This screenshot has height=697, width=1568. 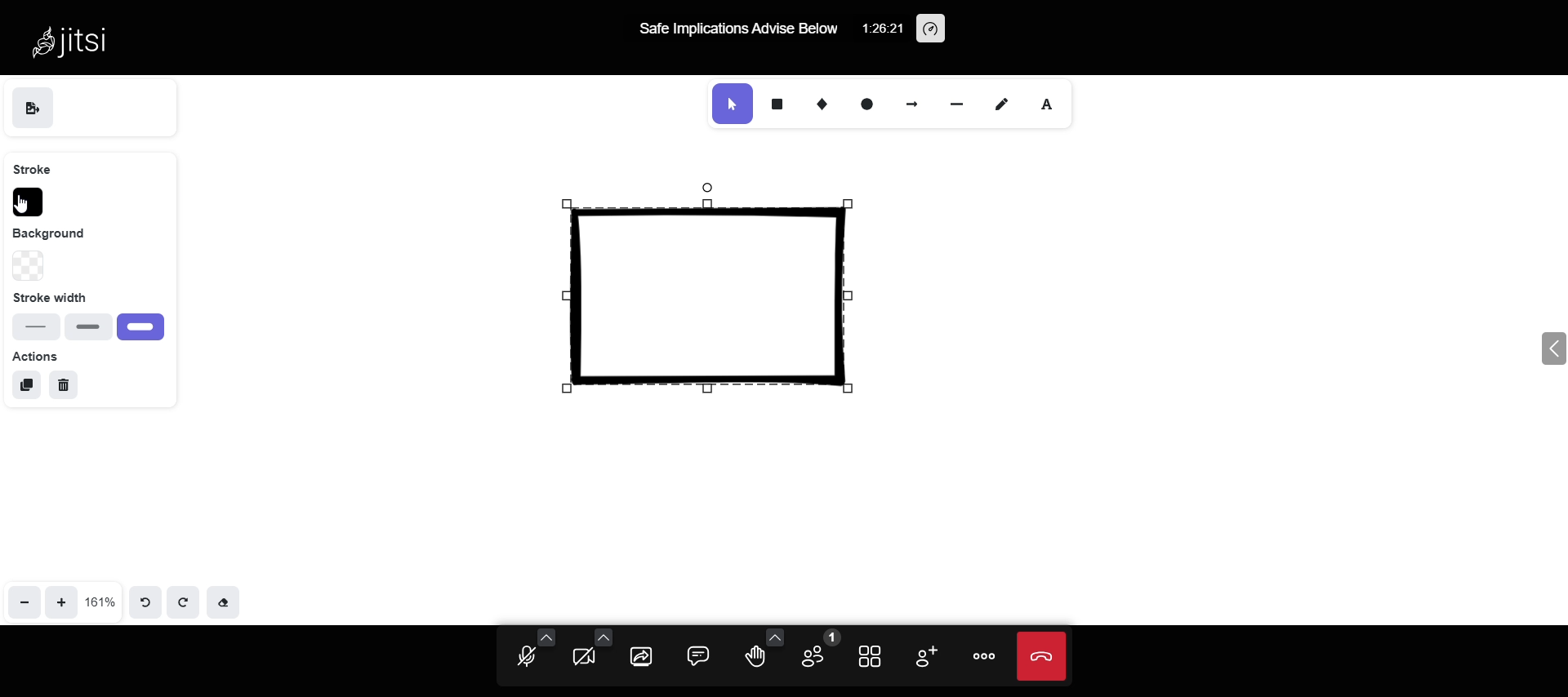 I want to click on video setting, so click(x=603, y=627).